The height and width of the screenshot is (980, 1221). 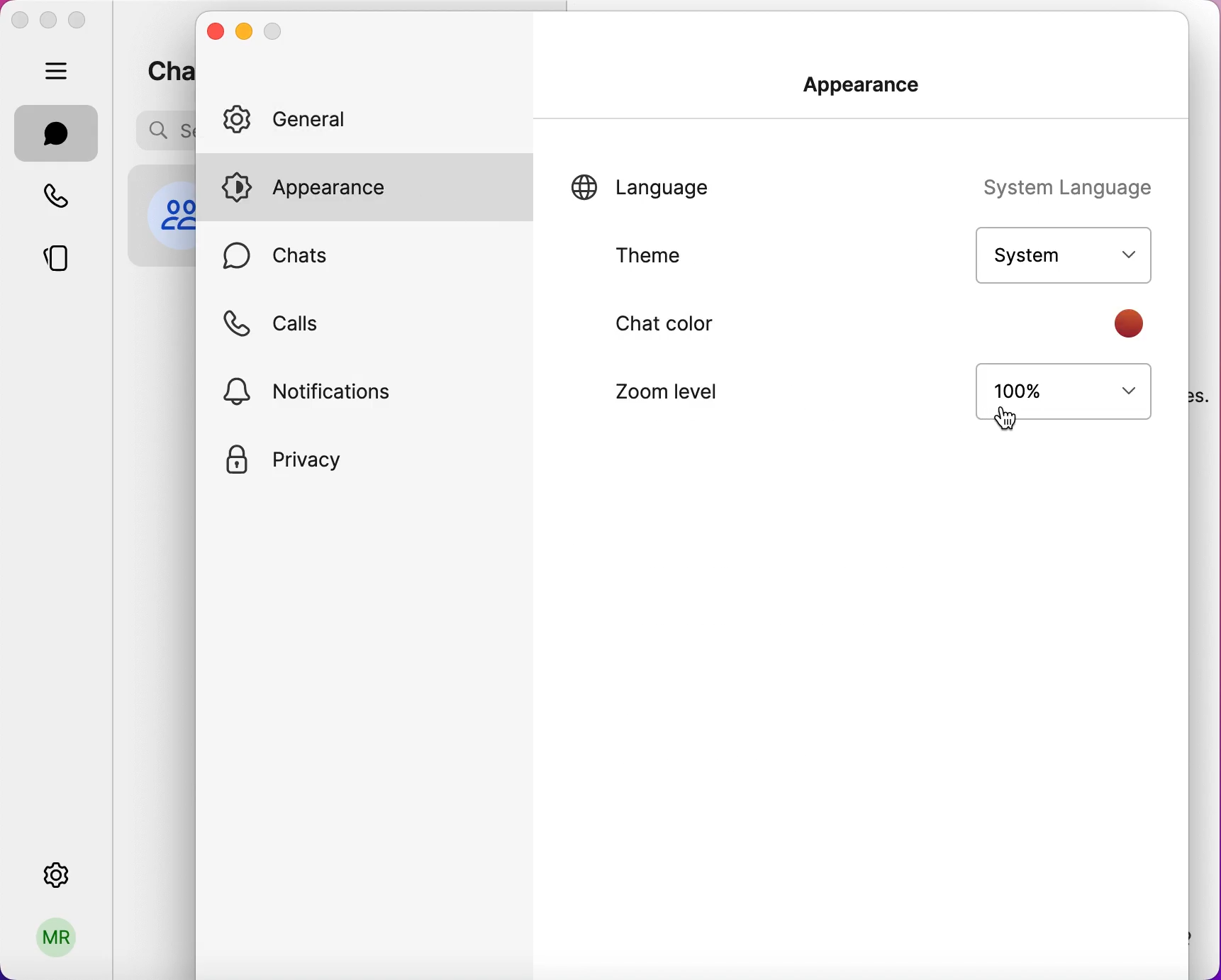 What do you see at coordinates (1005, 420) in the screenshot?
I see `cursor` at bounding box center [1005, 420].